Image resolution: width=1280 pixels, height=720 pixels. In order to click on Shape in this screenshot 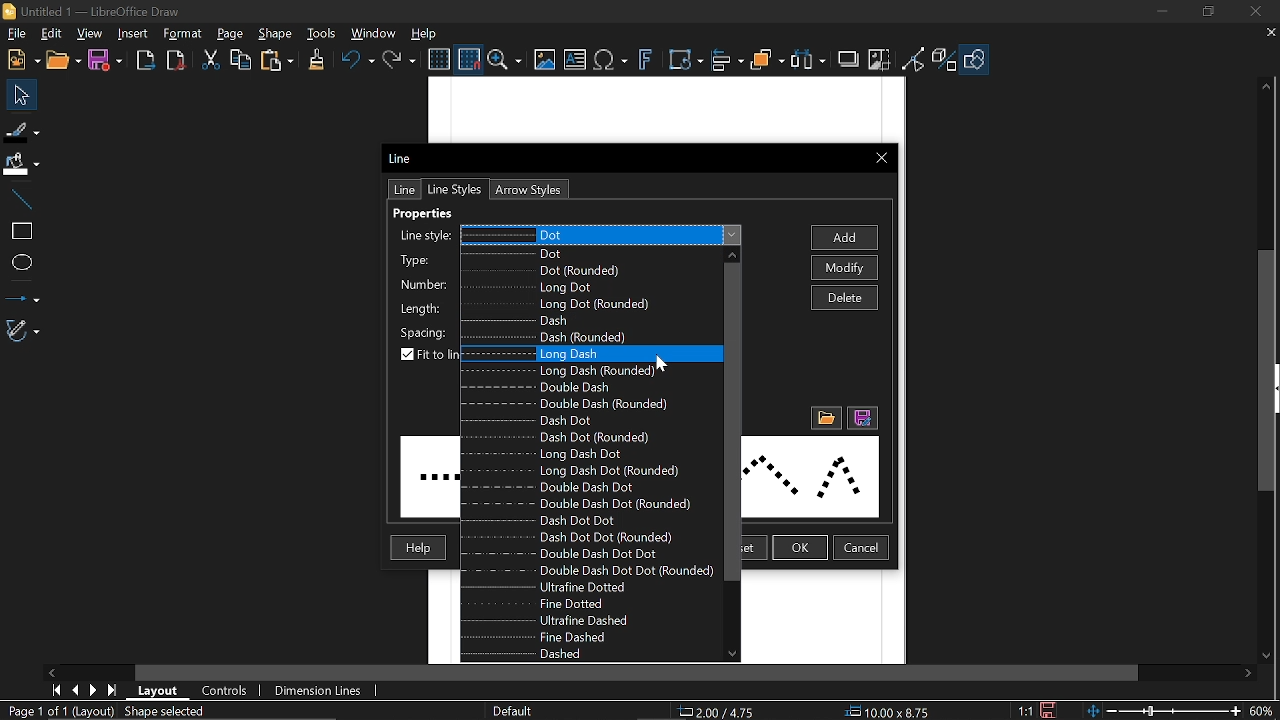, I will do `click(275, 35)`.